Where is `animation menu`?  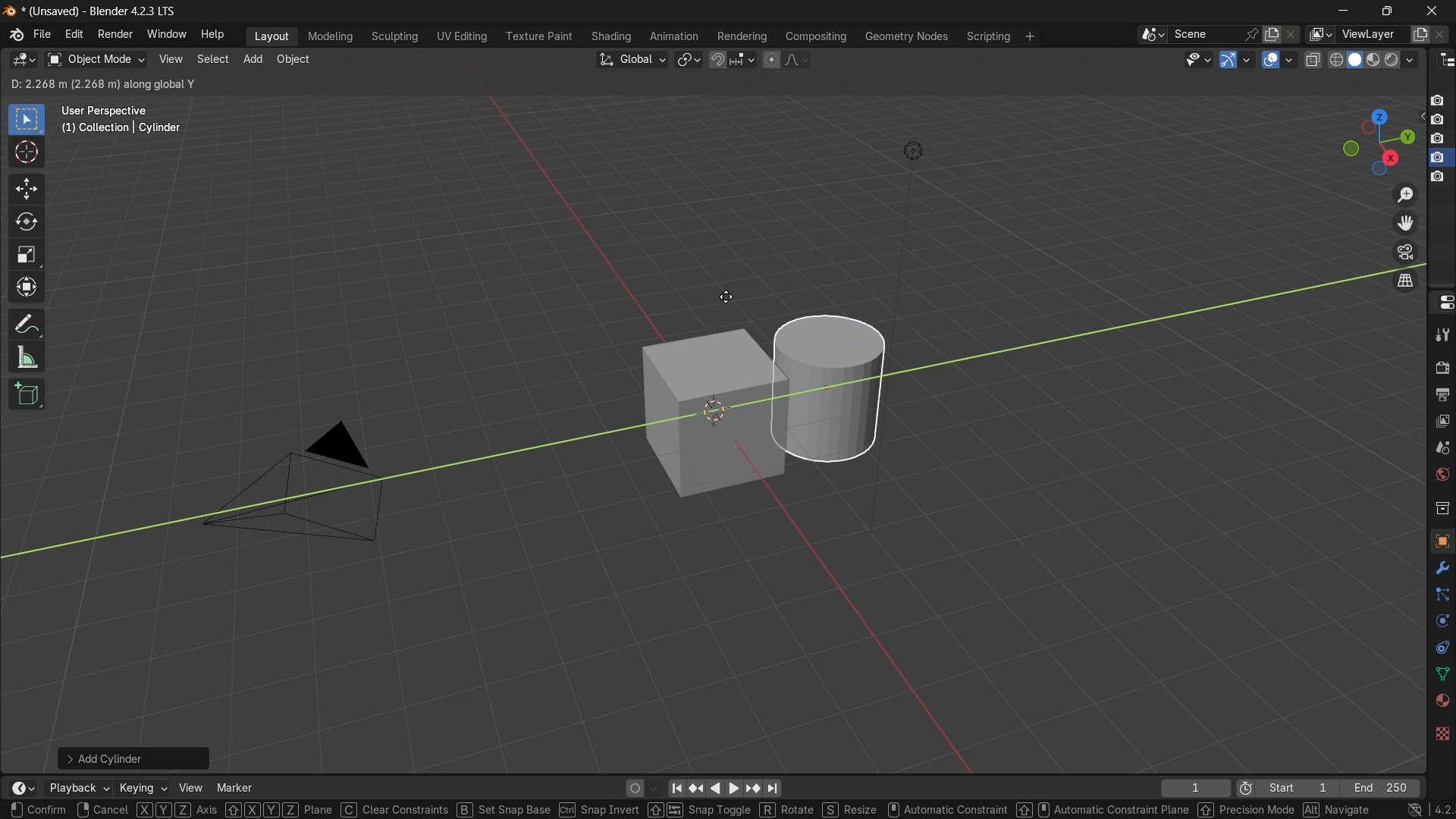
animation menu is located at coordinates (676, 38).